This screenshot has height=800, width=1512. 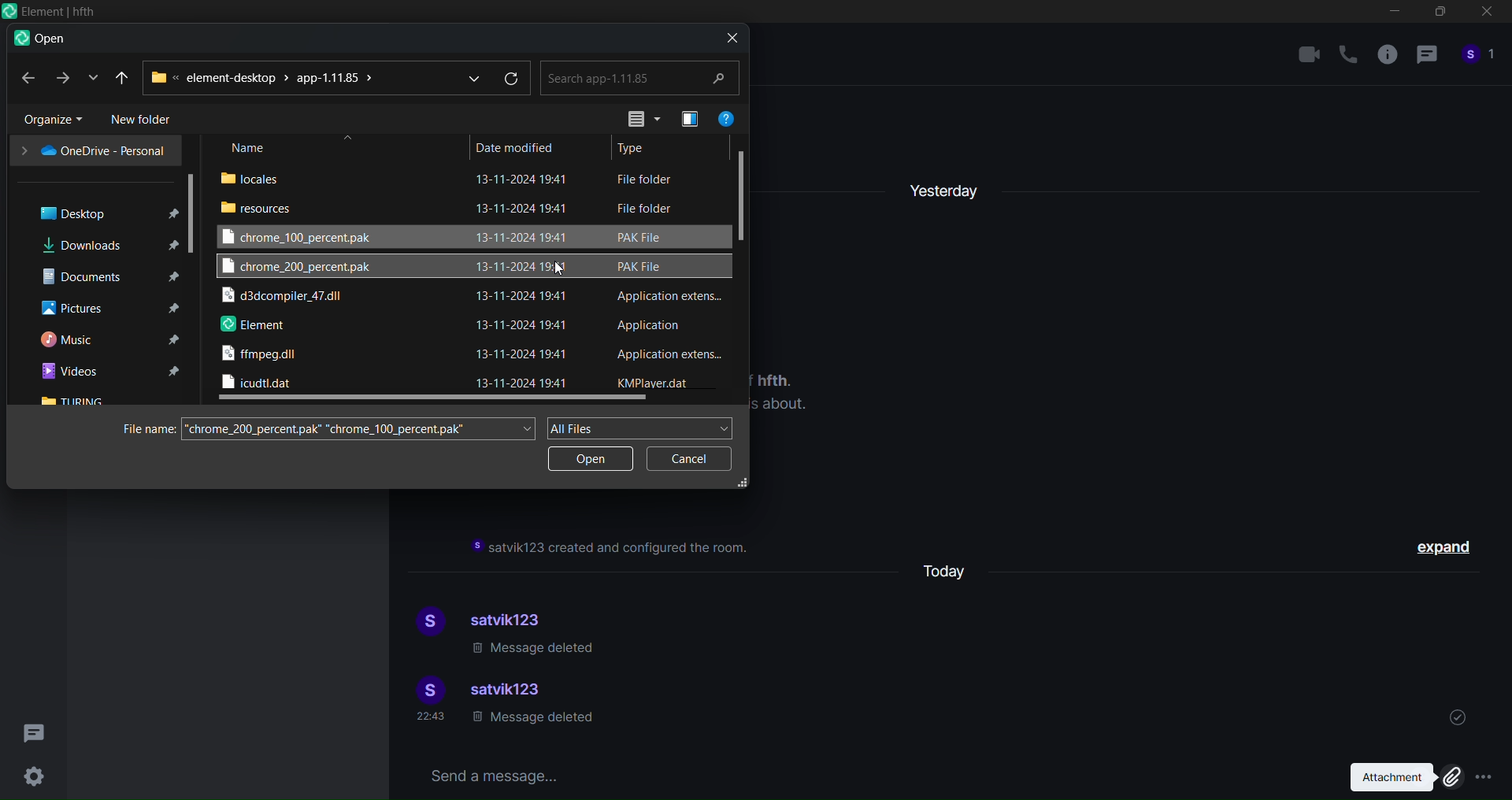 I want to click on file name, so click(x=144, y=429).